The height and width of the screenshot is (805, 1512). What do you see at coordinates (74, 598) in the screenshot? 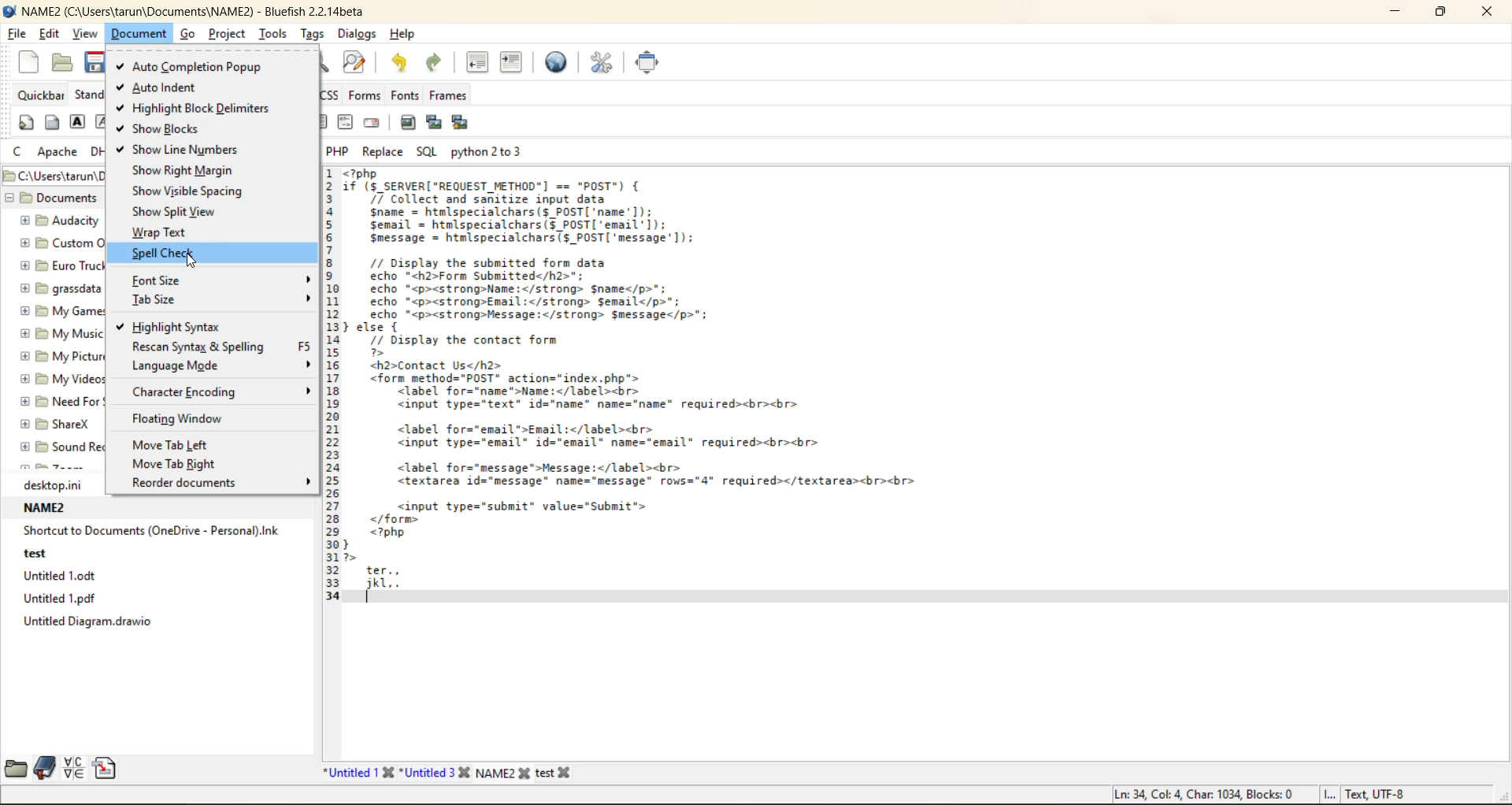
I see `untitled pdf` at bounding box center [74, 598].